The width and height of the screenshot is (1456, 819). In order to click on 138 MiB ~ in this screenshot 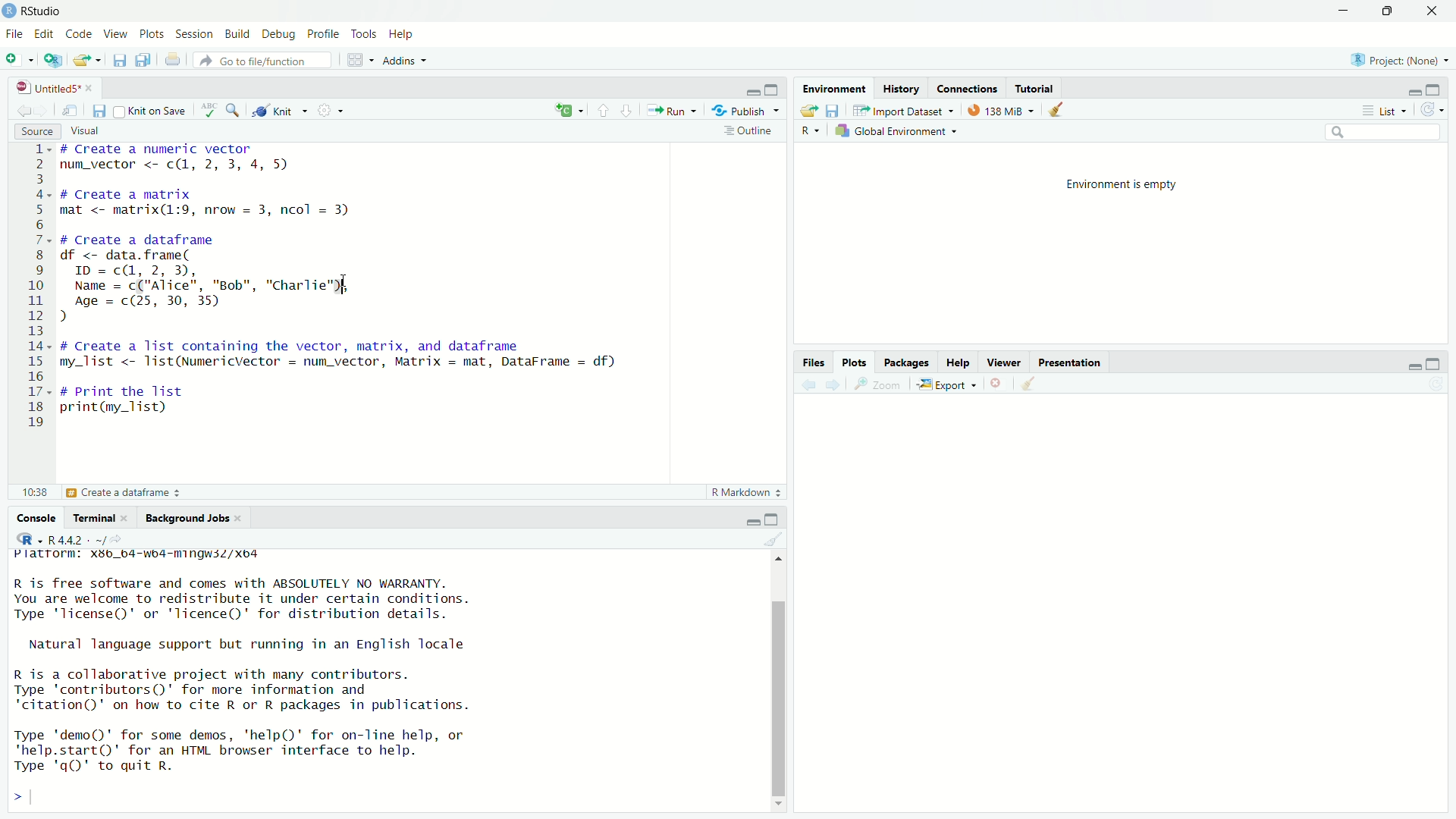, I will do `click(1003, 110)`.